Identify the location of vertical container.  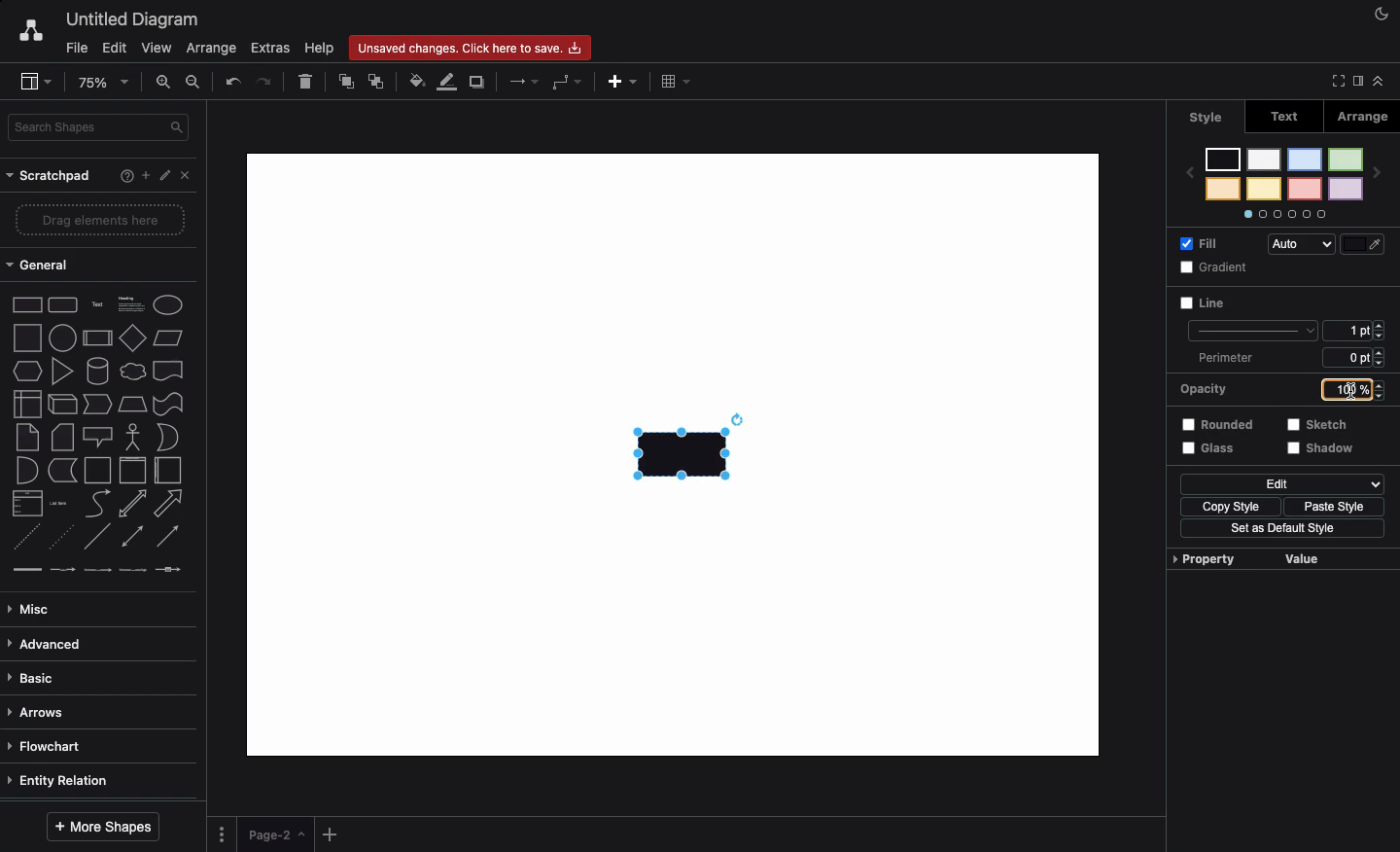
(131, 472).